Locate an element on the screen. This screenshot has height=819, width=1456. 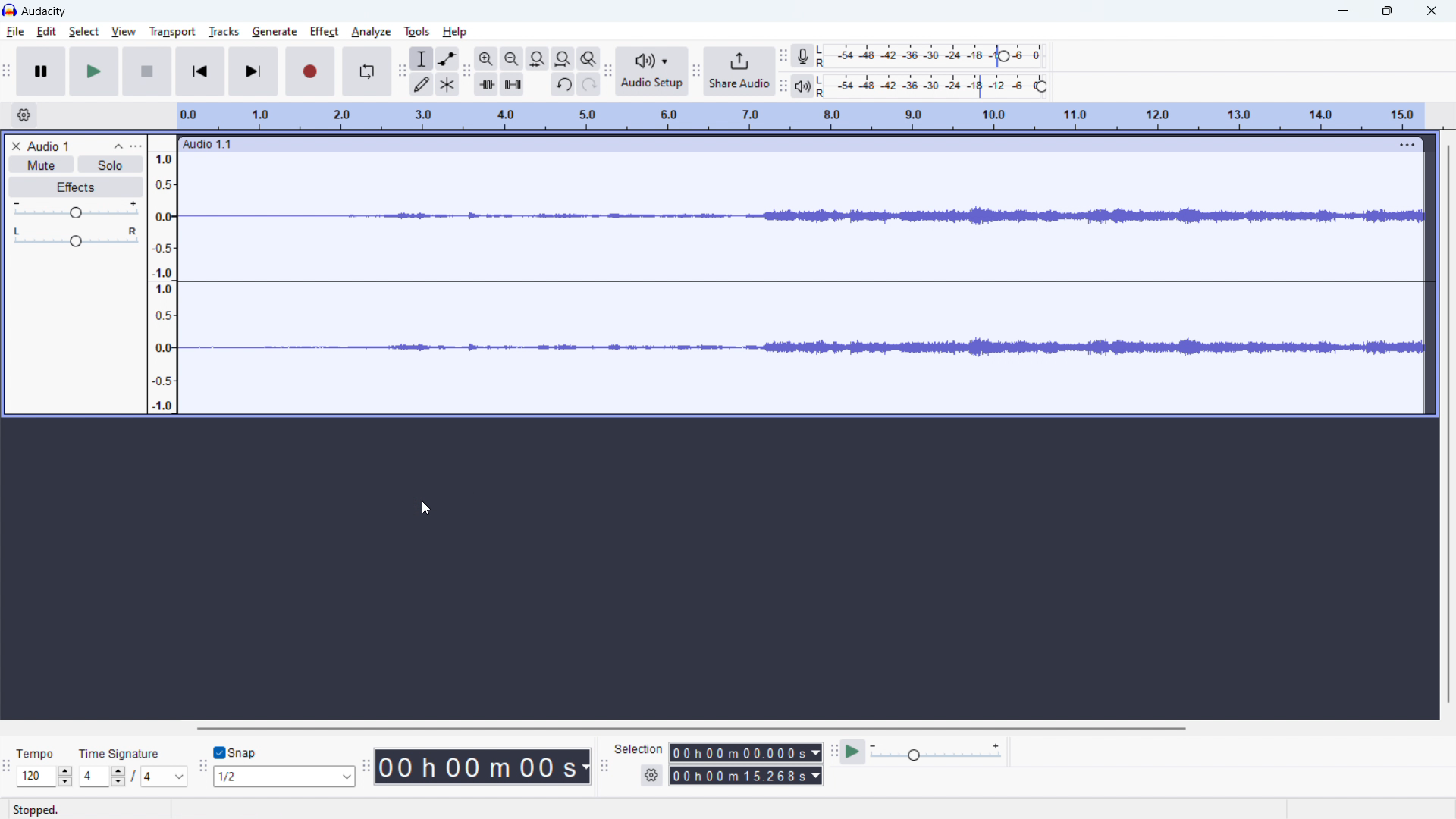
help is located at coordinates (455, 31).